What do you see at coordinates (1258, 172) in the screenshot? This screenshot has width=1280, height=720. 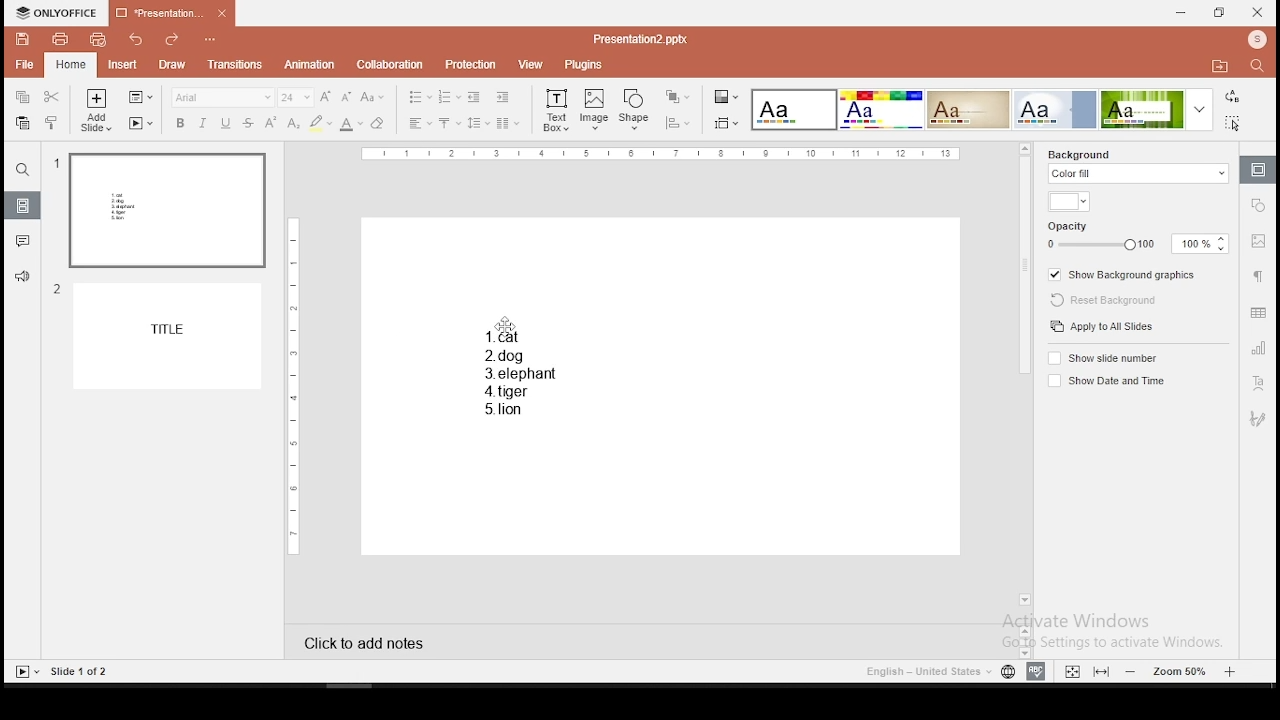 I see `slide settings` at bounding box center [1258, 172].